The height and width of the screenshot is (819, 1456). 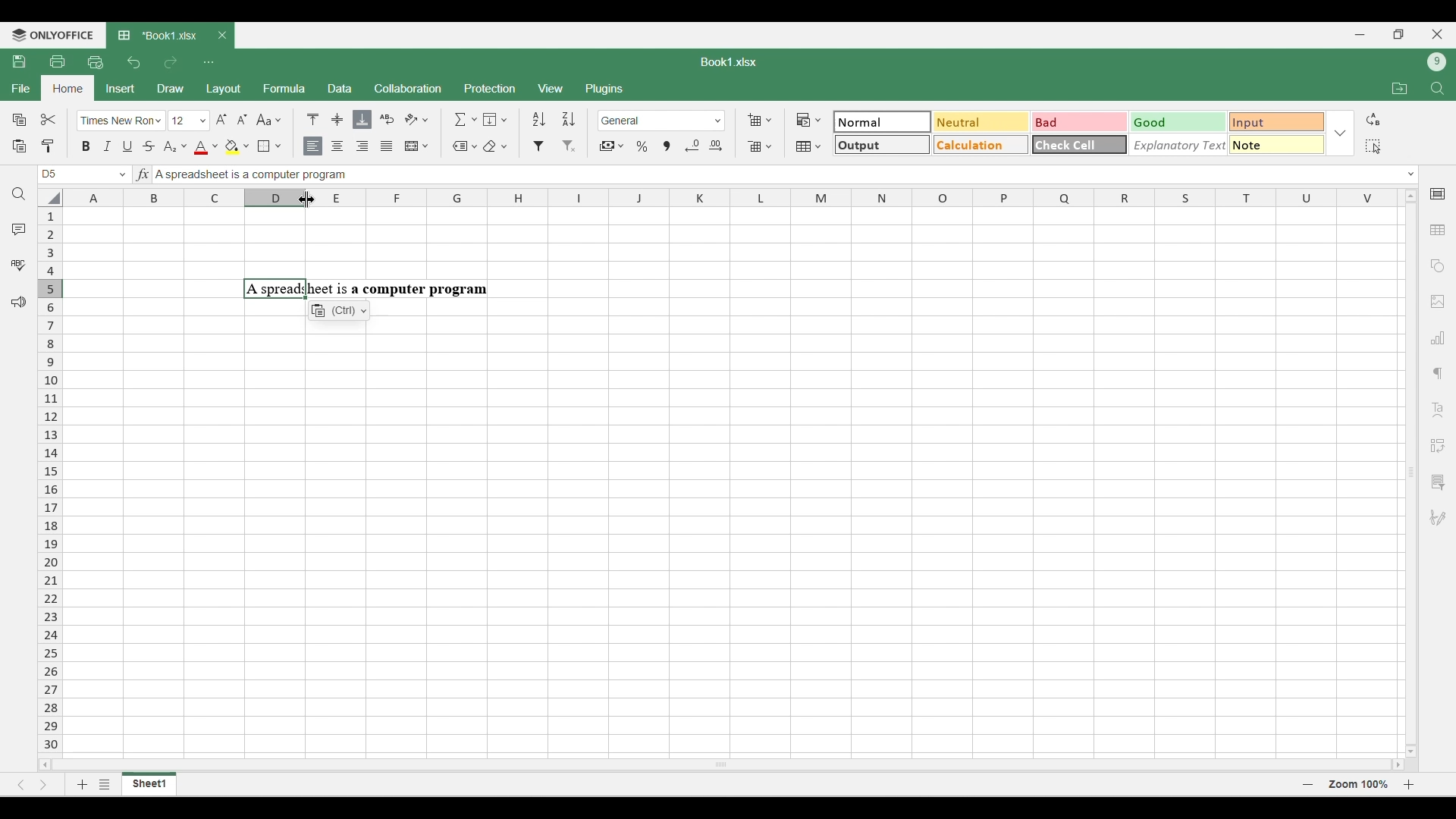 What do you see at coordinates (224, 89) in the screenshot?
I see `Layout menu` at bounding box center [224, 89].